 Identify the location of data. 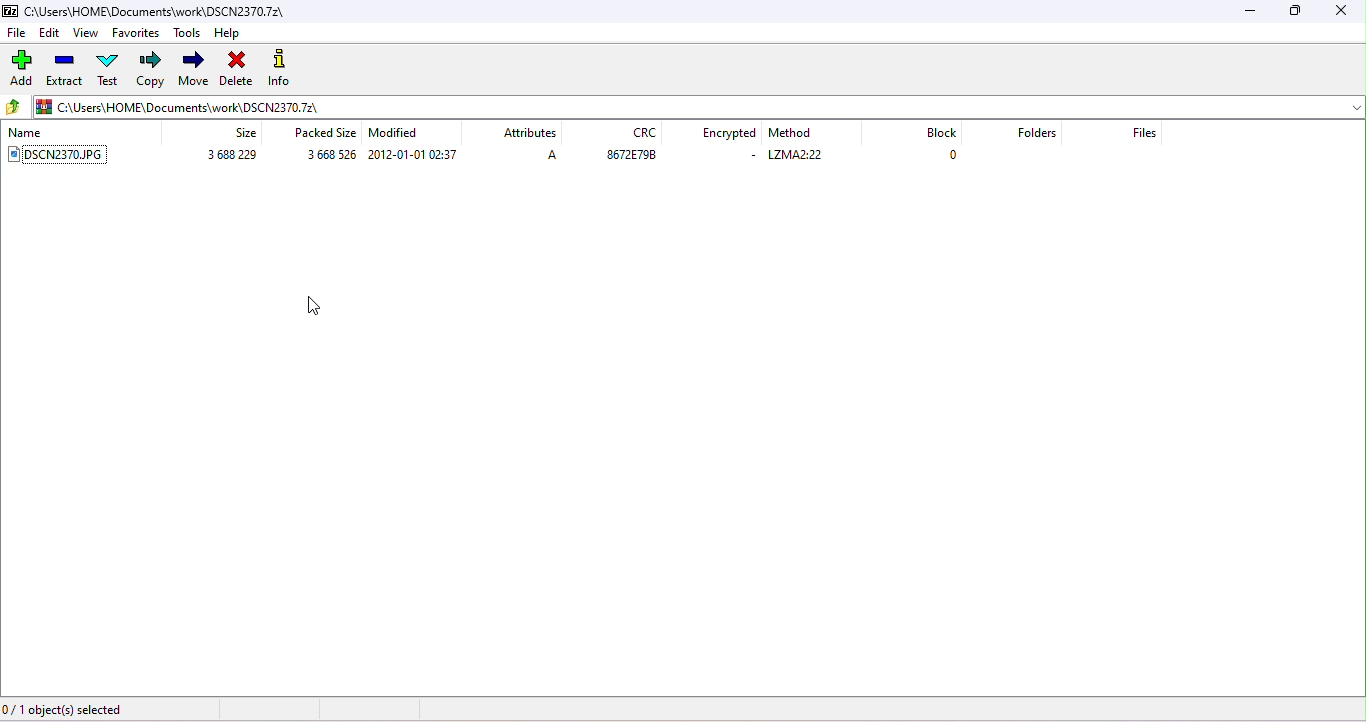
(634, 158).